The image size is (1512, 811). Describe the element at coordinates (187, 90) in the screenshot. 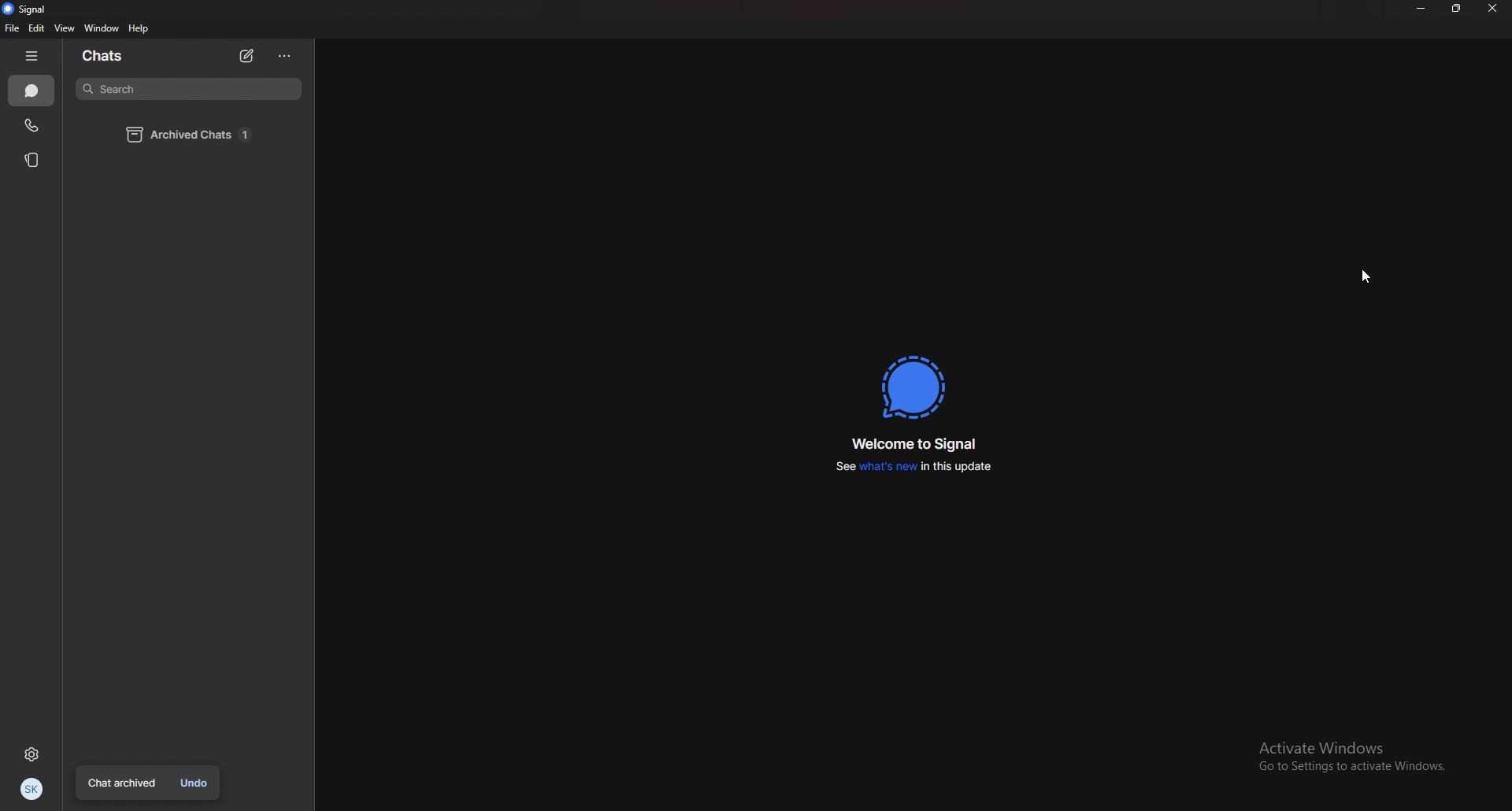

I see `Search bar` at that location.